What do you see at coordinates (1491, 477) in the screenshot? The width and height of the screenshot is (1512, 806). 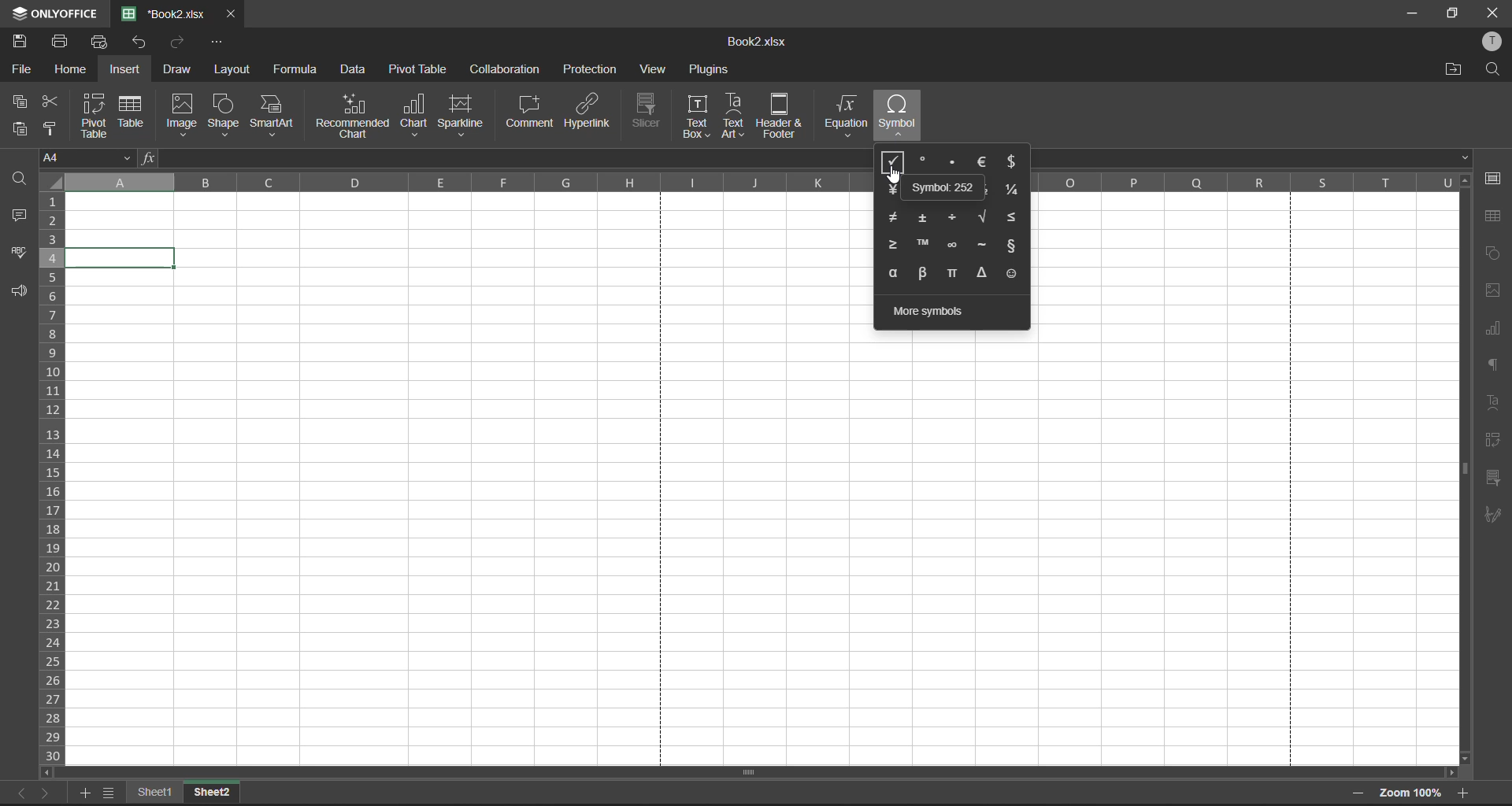 I see `slicer` at bounding box center [1491, 477].